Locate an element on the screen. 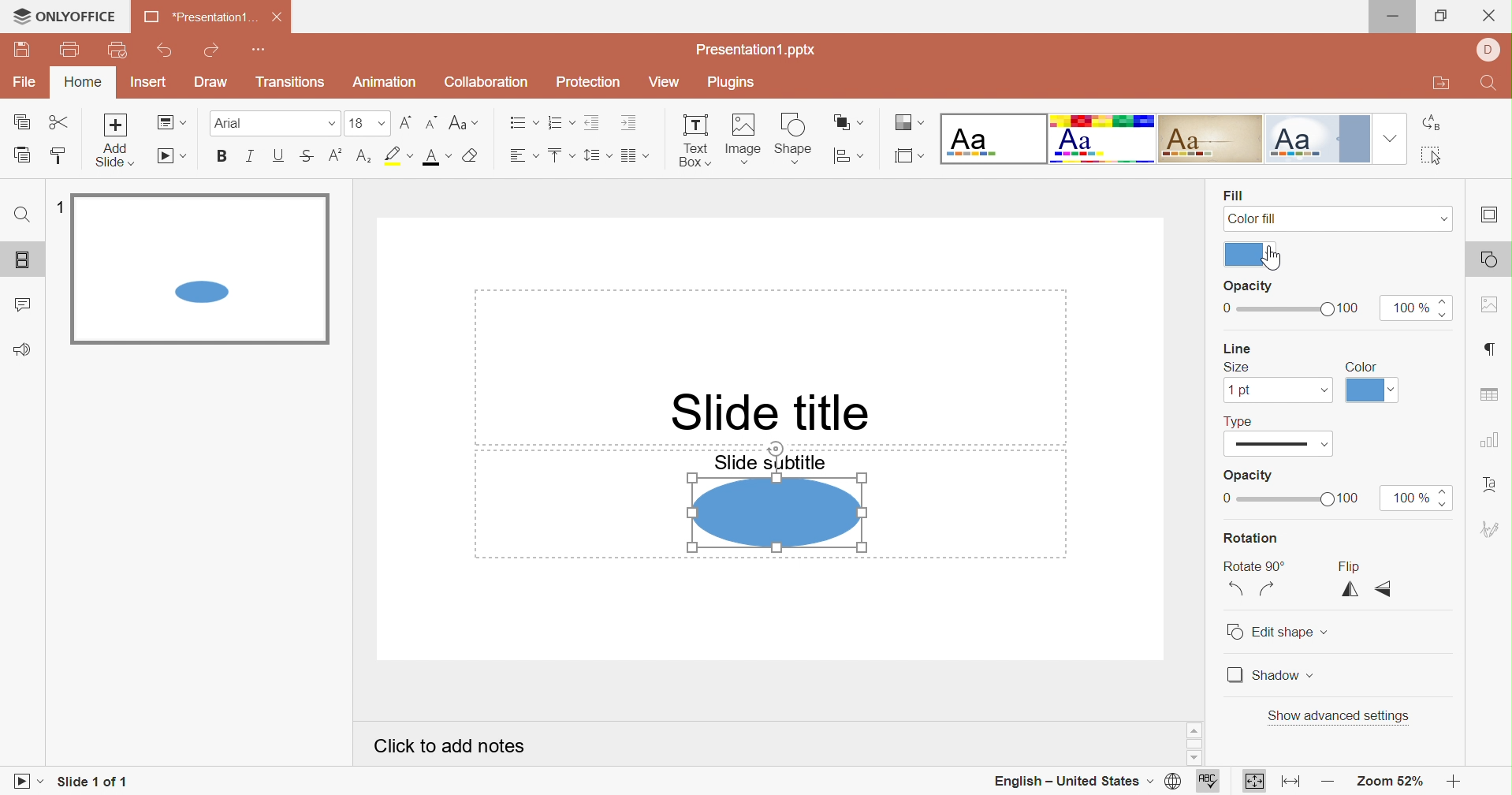 The height and width of the screenshot is (795, 1512). ONLYOFFICE is located at coordinates (61, 15).